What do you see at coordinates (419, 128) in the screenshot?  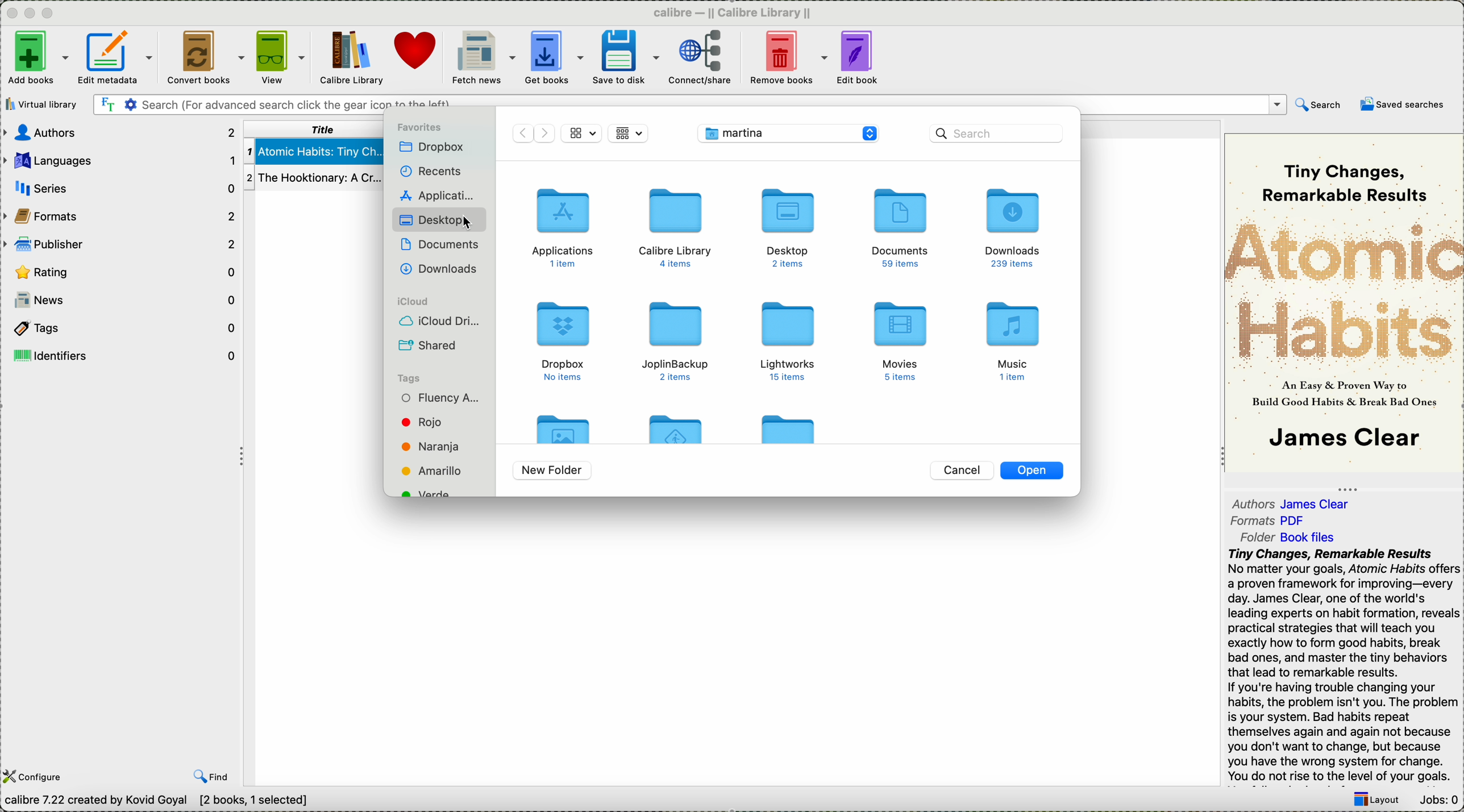 I see `favorites` at bounding box center [419, 128].